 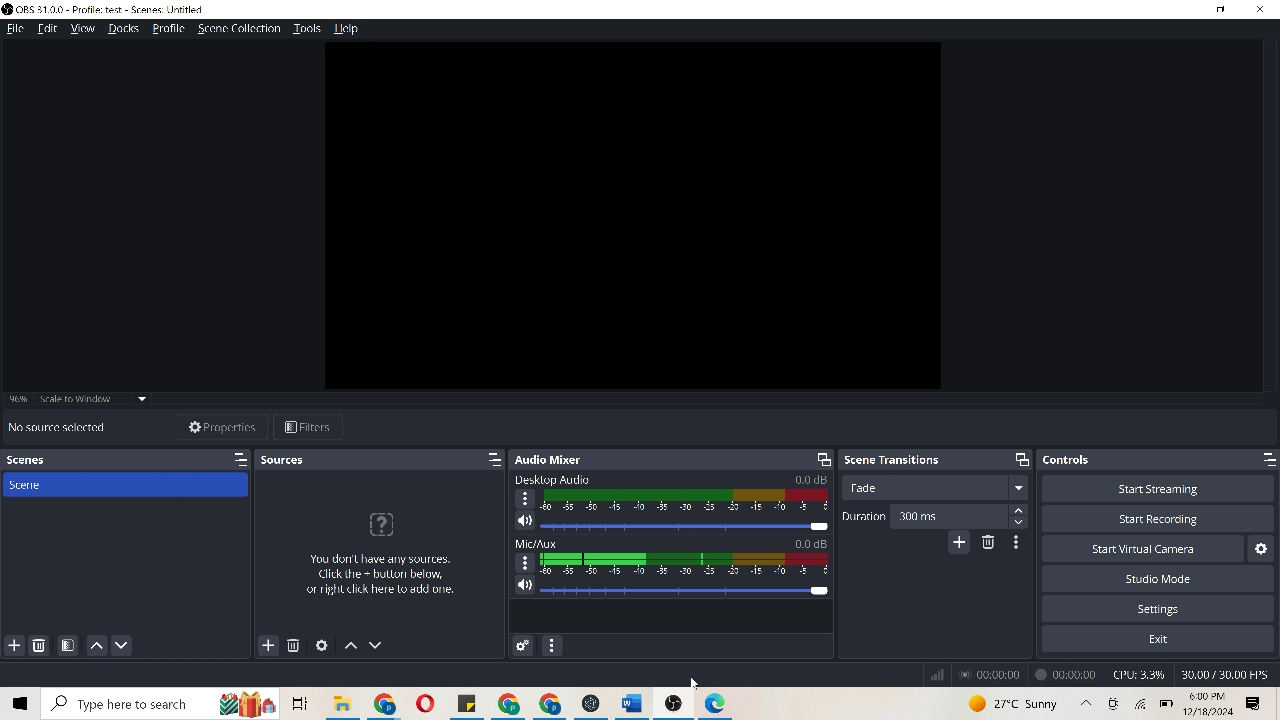 What do you see at coordinates (684, 501) in the screenshot?
I see `audio decibel scale` at bounding box center [684, 501].